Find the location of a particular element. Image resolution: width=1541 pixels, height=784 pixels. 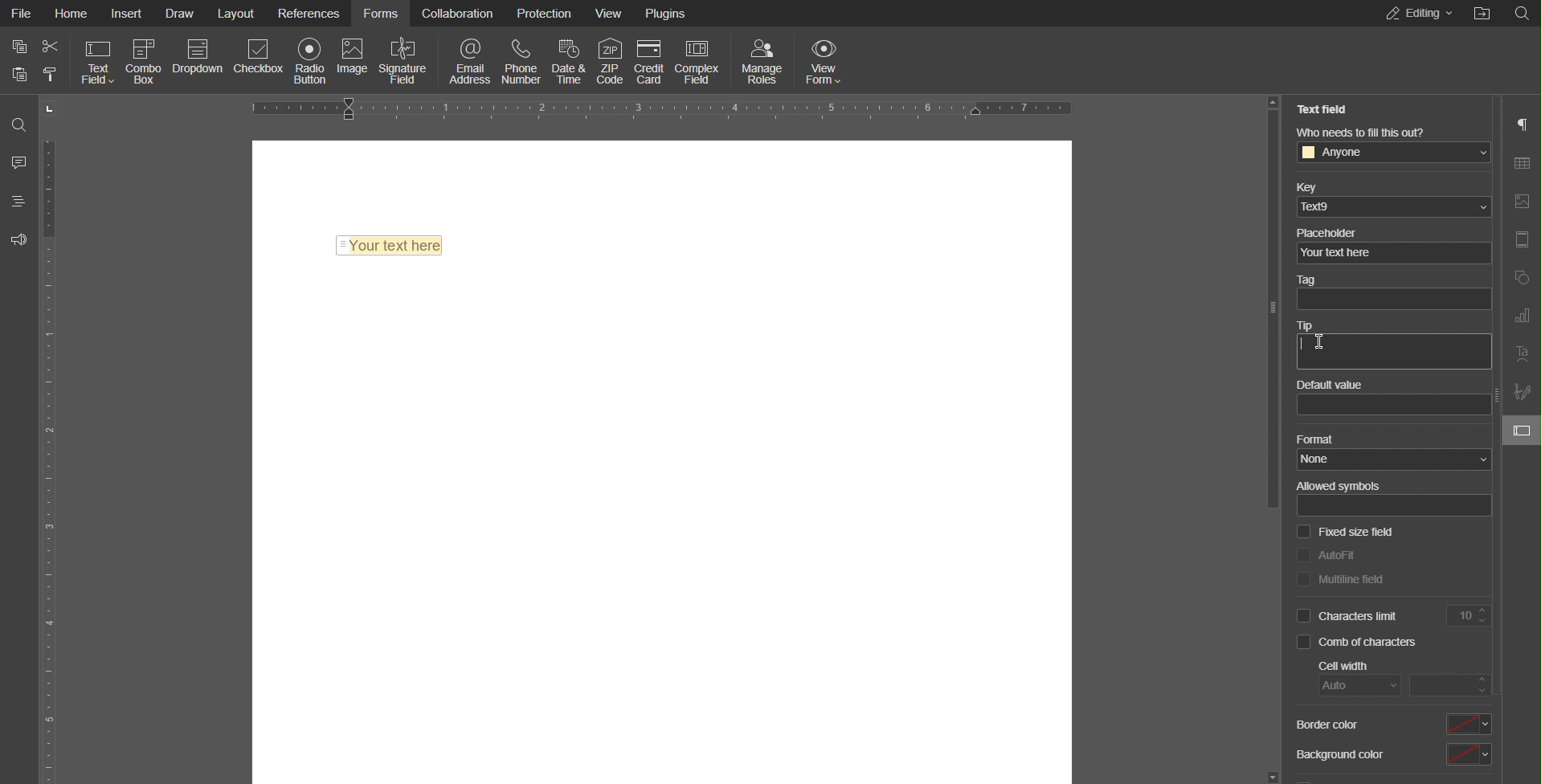

ZIP Code is located at coordinates (608, 59).